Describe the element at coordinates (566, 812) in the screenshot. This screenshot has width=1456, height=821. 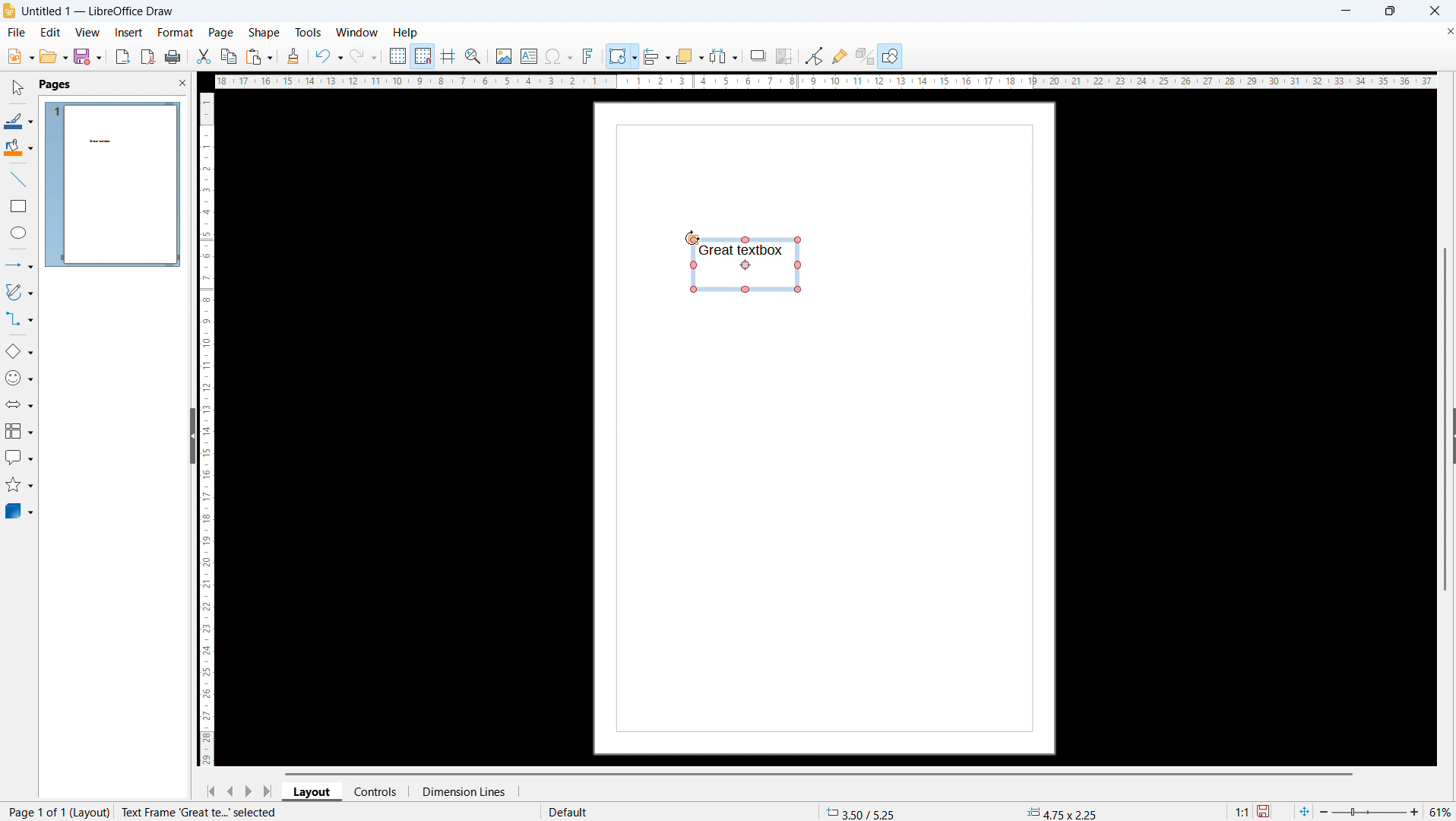
I see `default page style` at that location.